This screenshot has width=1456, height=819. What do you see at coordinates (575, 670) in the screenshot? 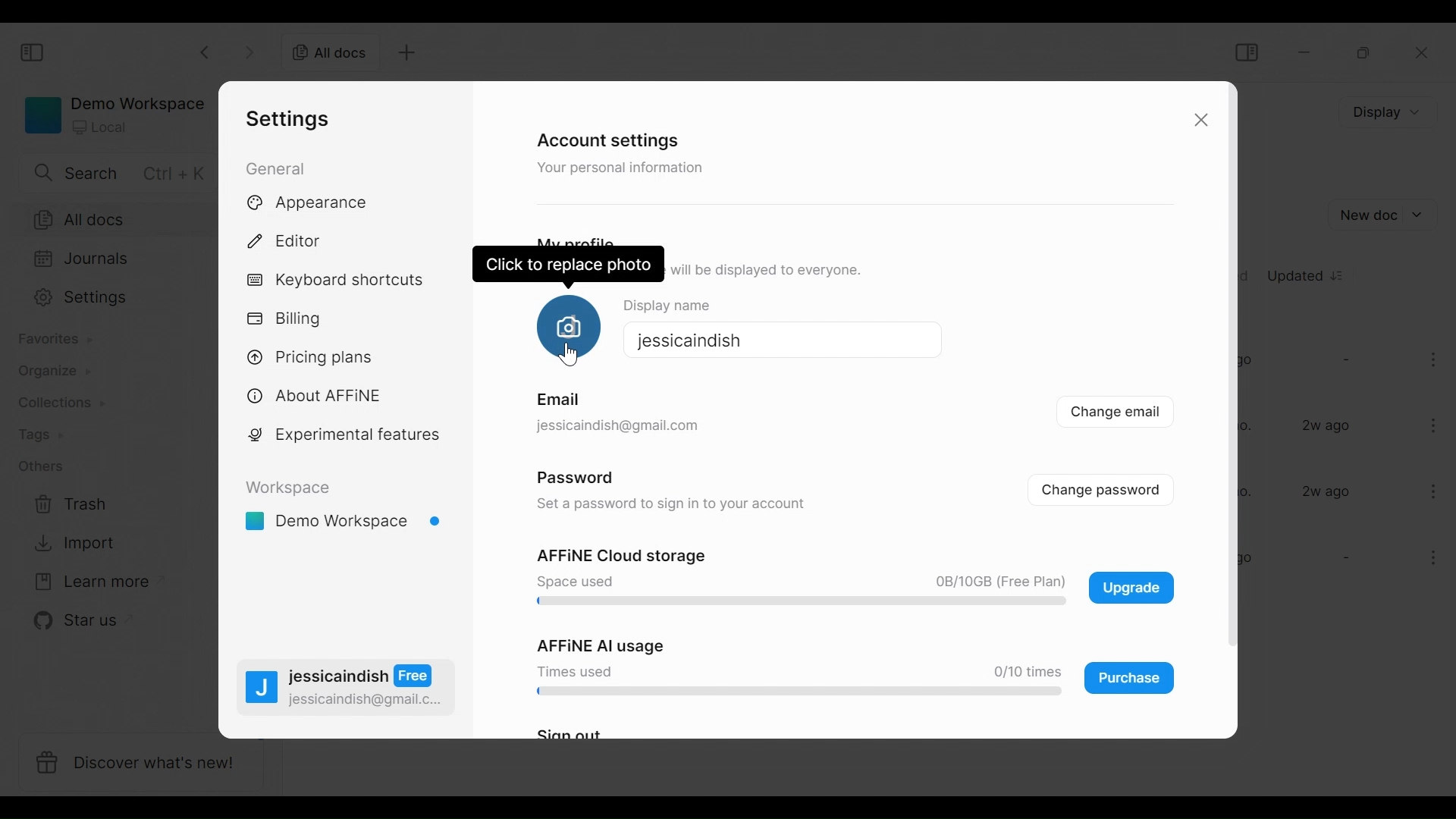
I see `Times used` at bounding box center [575, 670].